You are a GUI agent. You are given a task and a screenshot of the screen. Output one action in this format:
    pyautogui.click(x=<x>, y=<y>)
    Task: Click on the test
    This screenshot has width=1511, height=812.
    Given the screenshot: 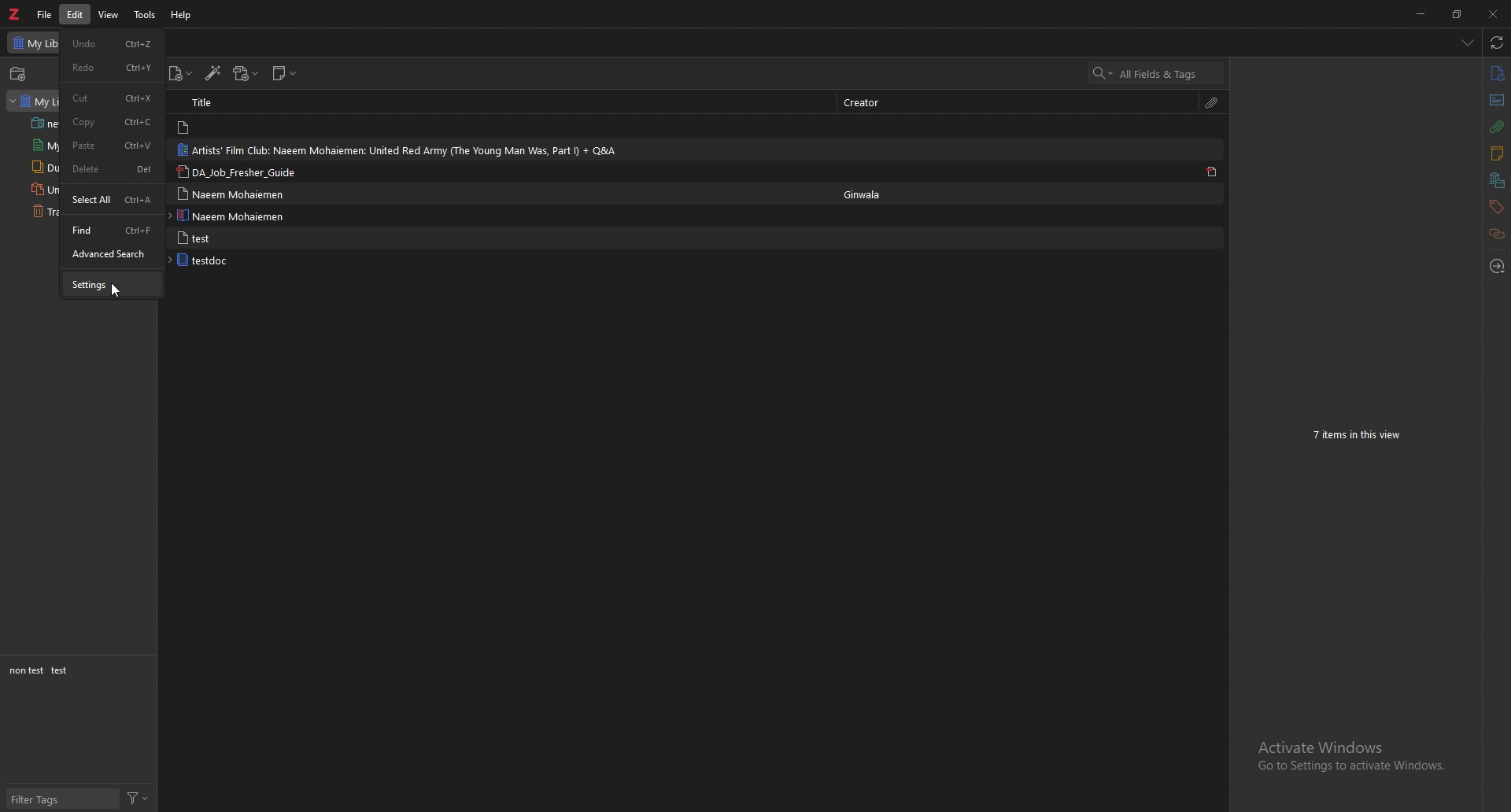 What is the action you would take?
    pyautogui.click(x=238, y=238)
    